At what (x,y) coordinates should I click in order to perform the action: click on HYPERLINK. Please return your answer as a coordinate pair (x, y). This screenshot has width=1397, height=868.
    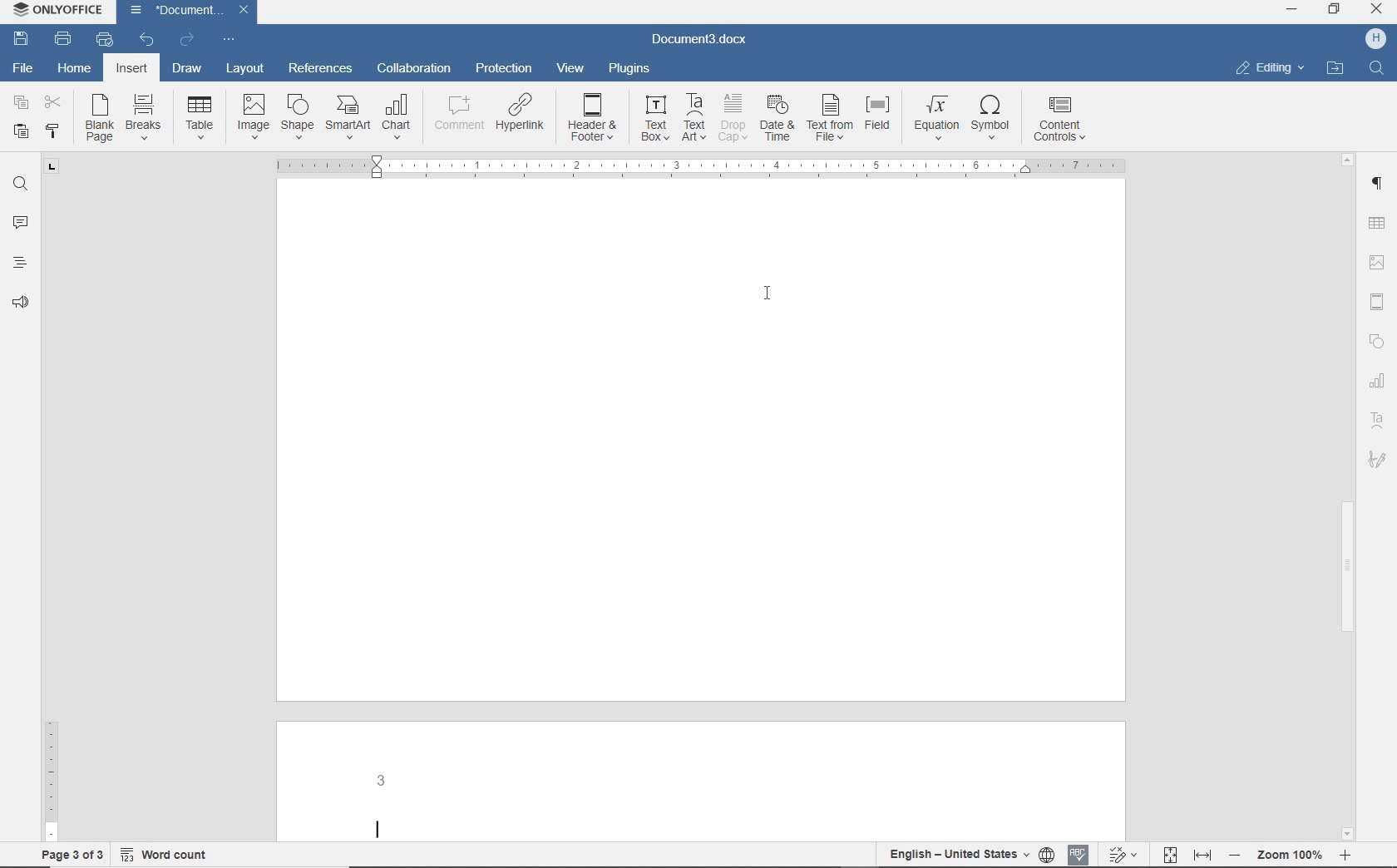
    Looking at the image, I should click on (520, 118).